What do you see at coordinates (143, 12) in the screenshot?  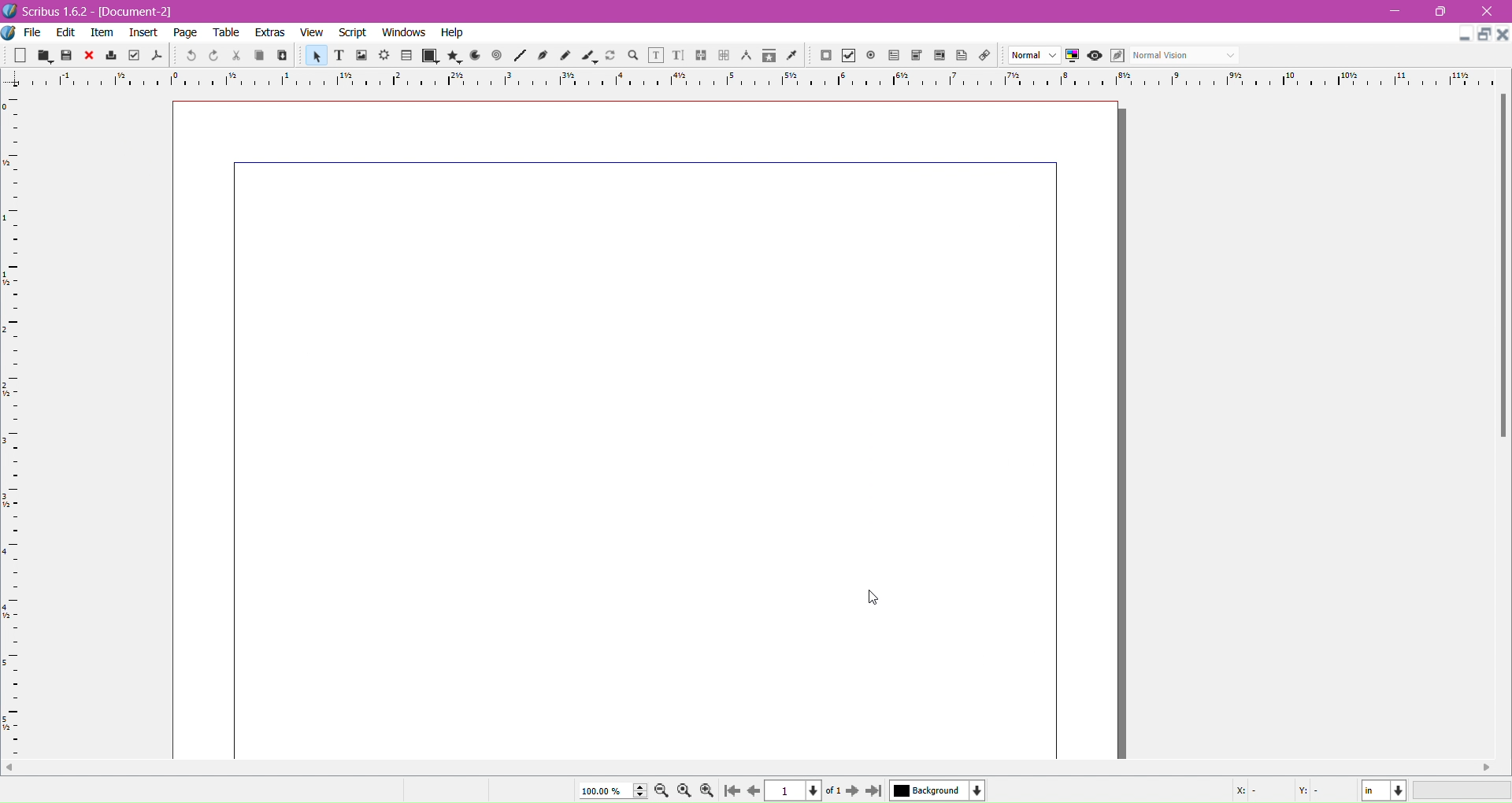 I see `New Document created - Document 2` at bounding box center [143, 12].